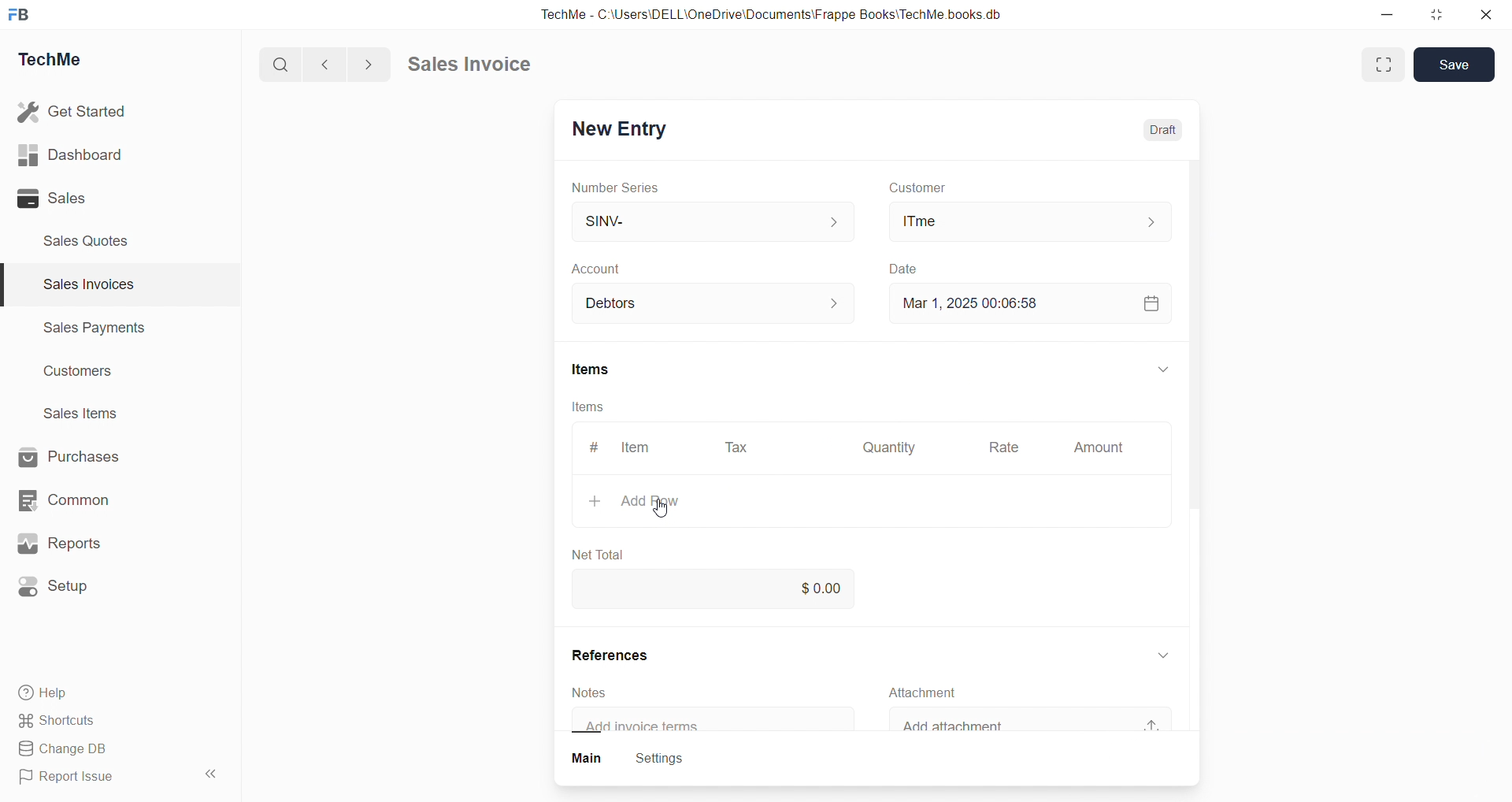  I want to click on Purchases, so click(83, 455).